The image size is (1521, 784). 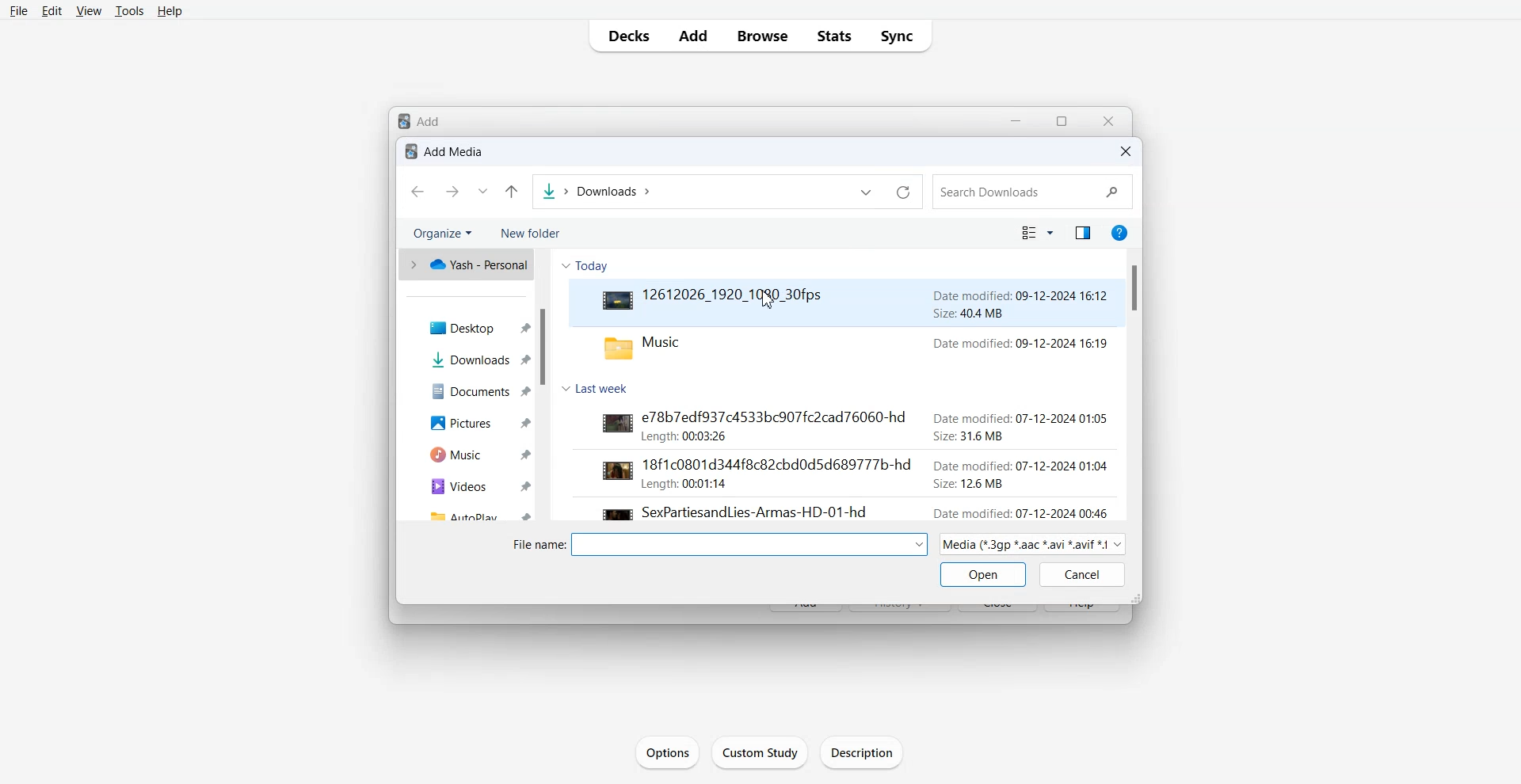 What do you see at coordinates (402, 121) in the screenshot?
I see `logo` at bounding box center [402, 121].